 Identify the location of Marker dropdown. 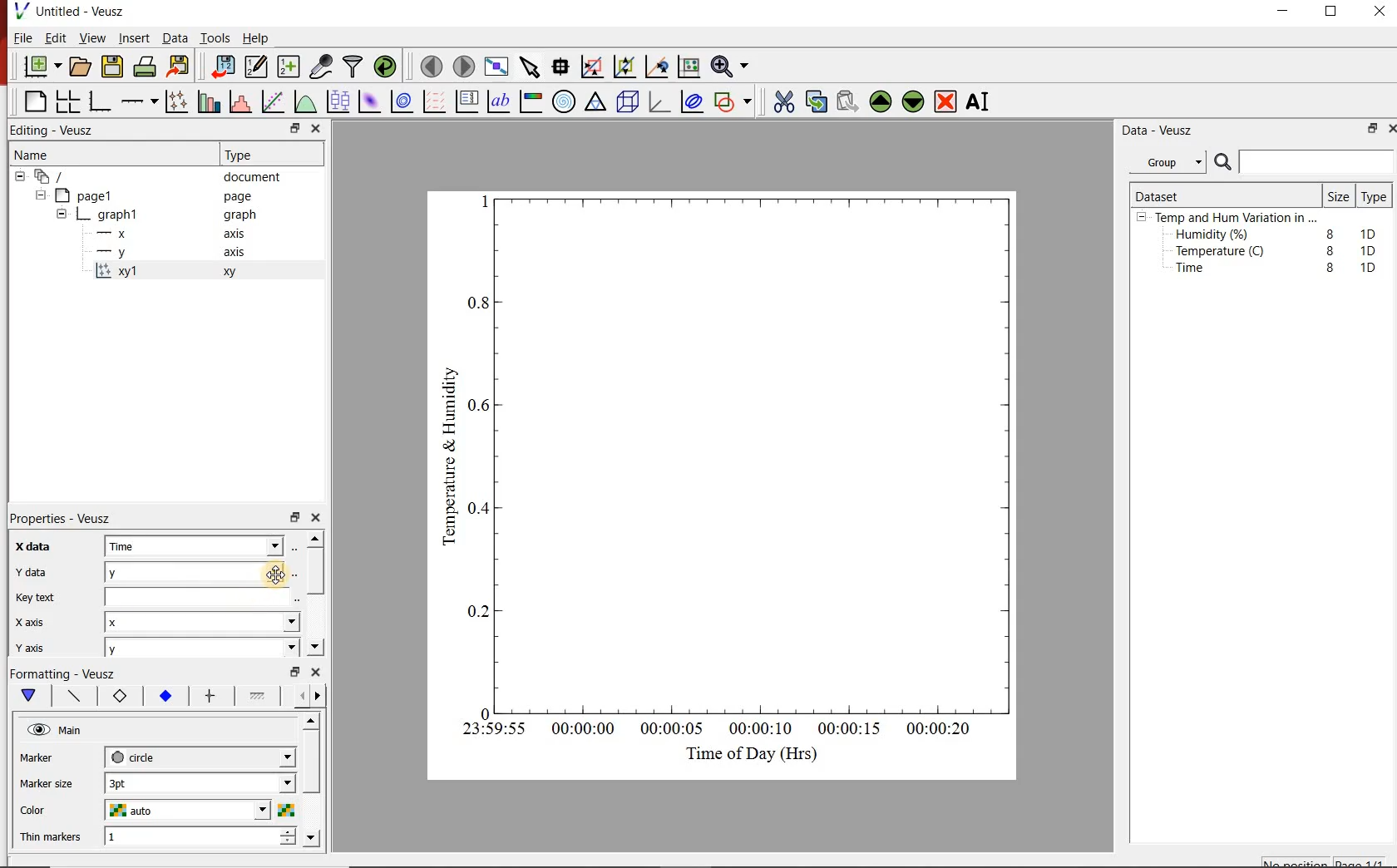
(262, 757).